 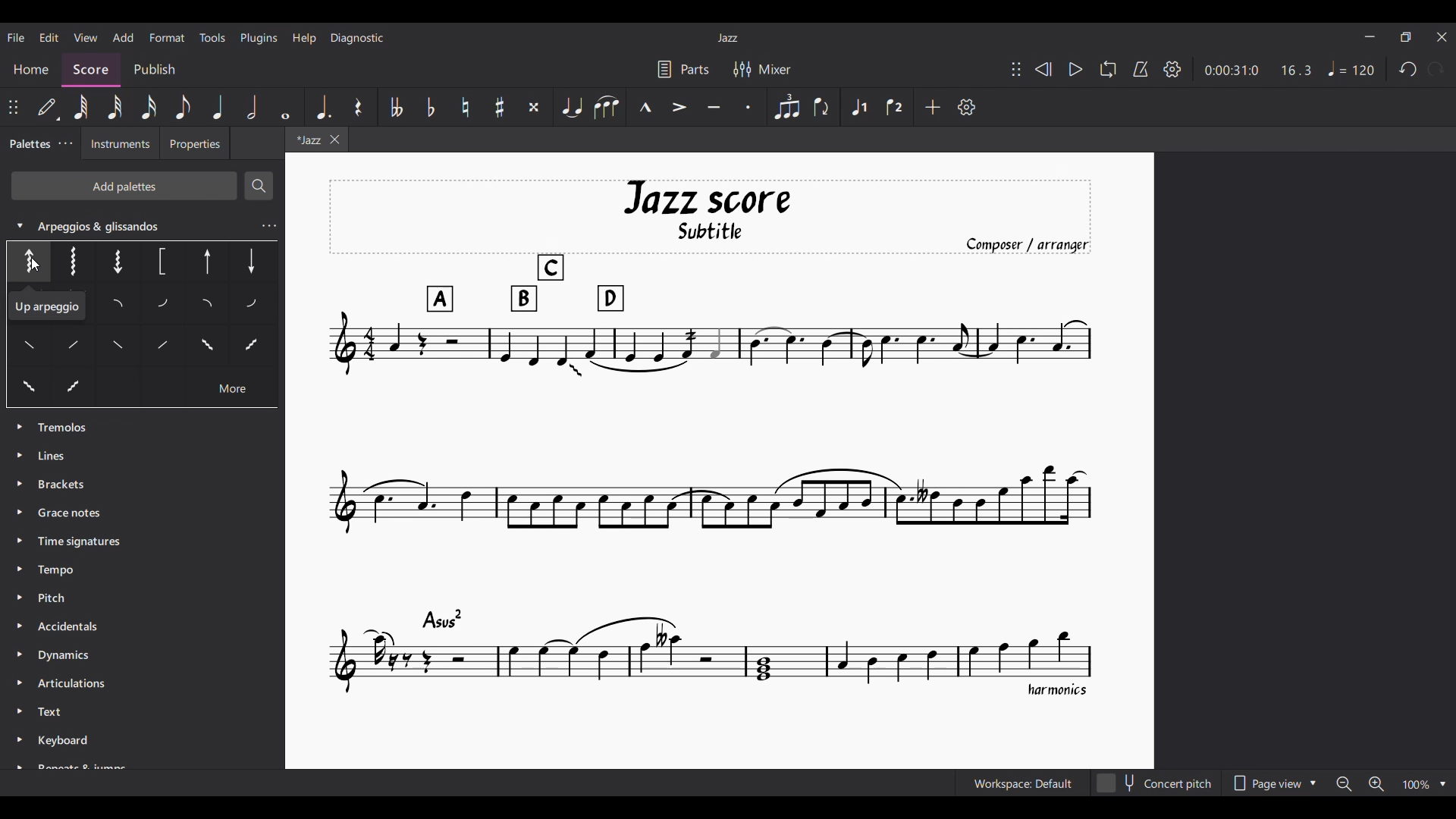 I want to click on Collapse, so click(x=20, y=225).